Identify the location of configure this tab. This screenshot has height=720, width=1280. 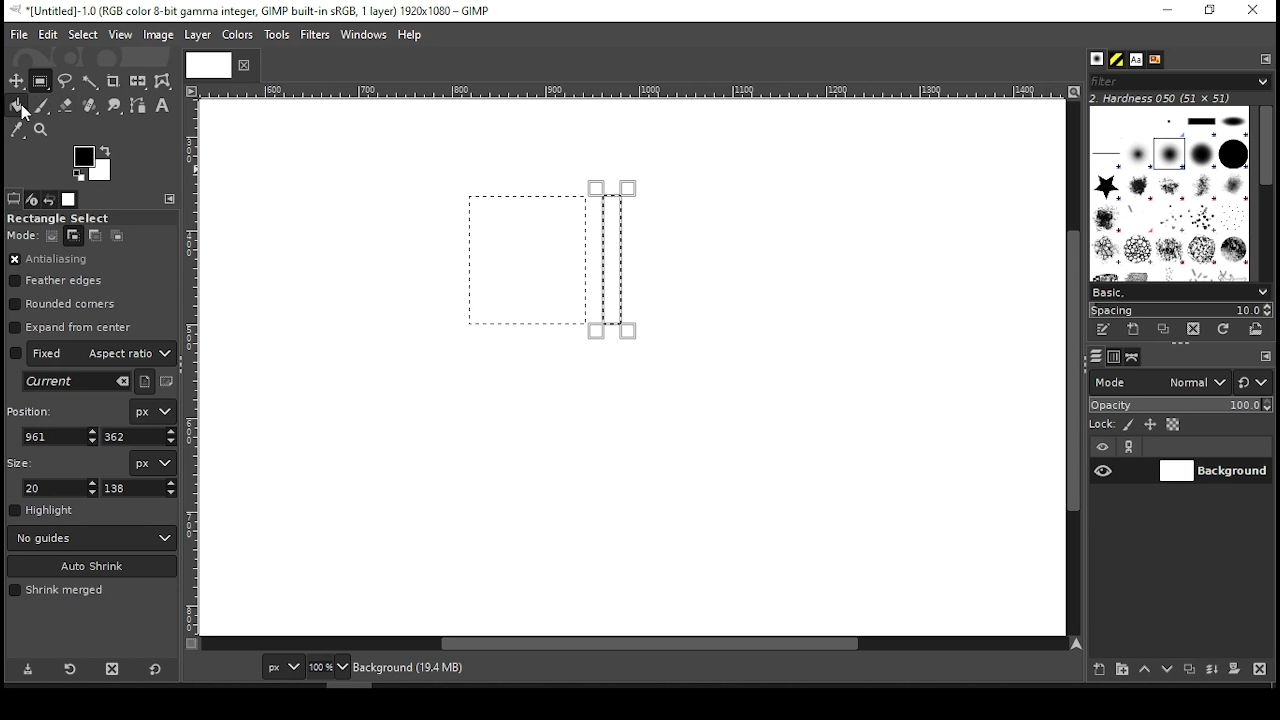
(1267, 58).